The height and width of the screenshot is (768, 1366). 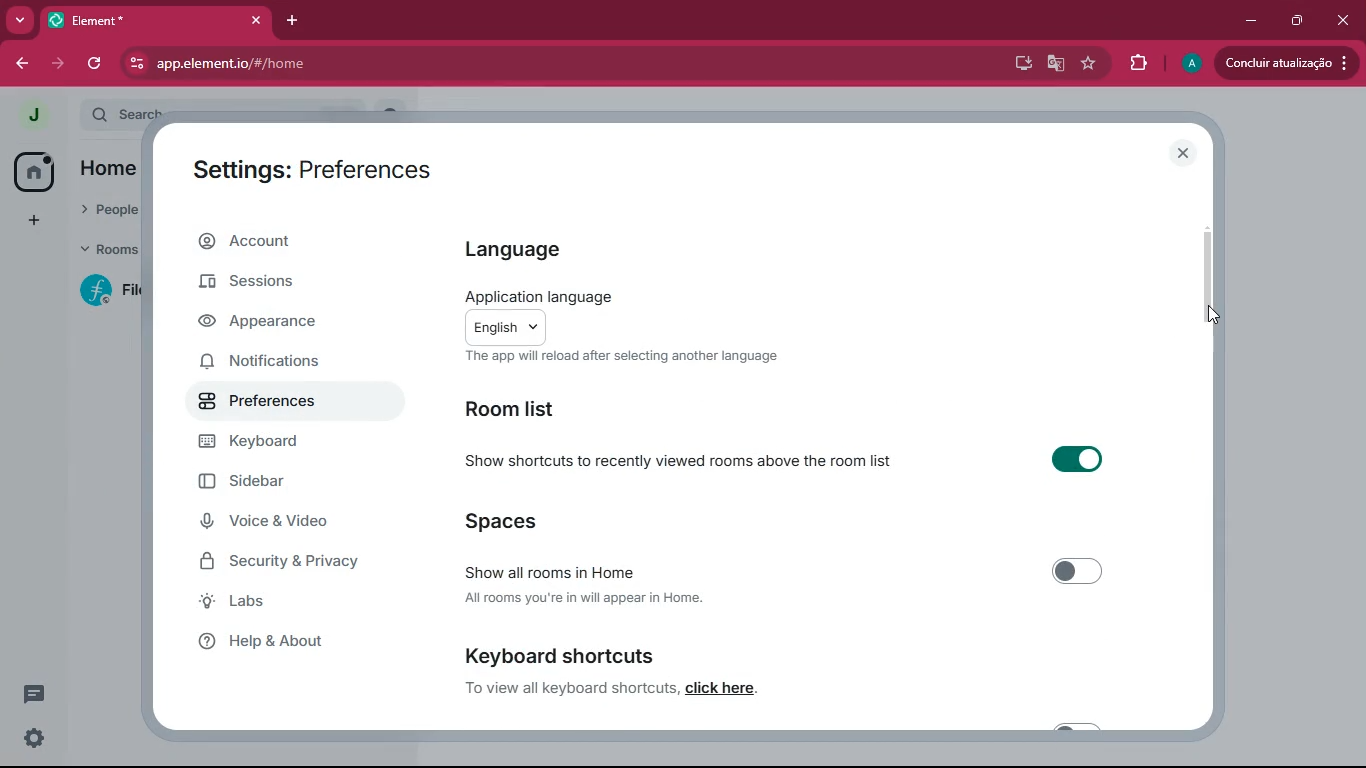 What do you see at coordinates (783, 569) in the screenshot?
I see `show all rooms in home` at bounding box center [783, 569].